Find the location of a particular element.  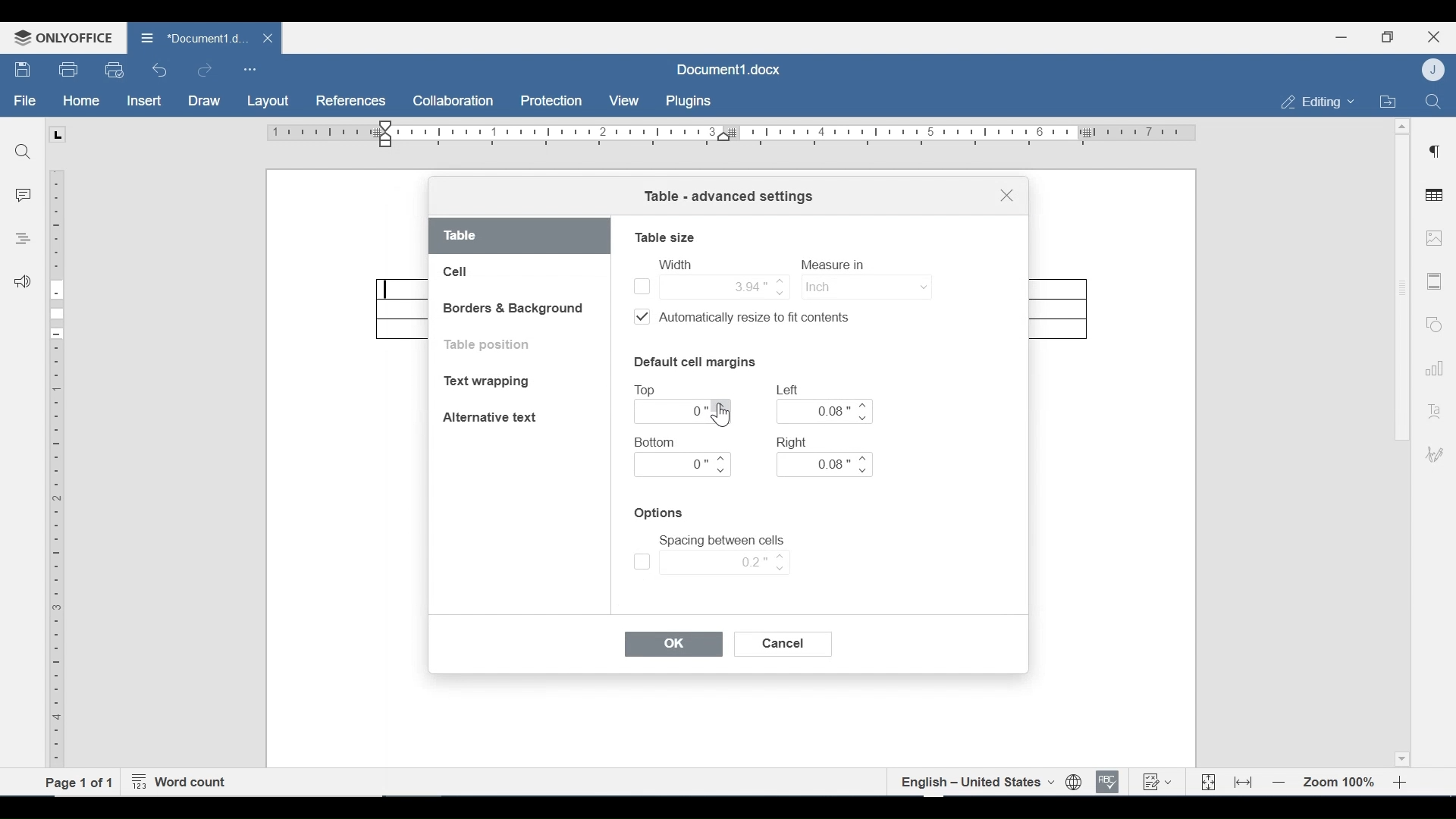

Headings is located at coordinates (22, 237).